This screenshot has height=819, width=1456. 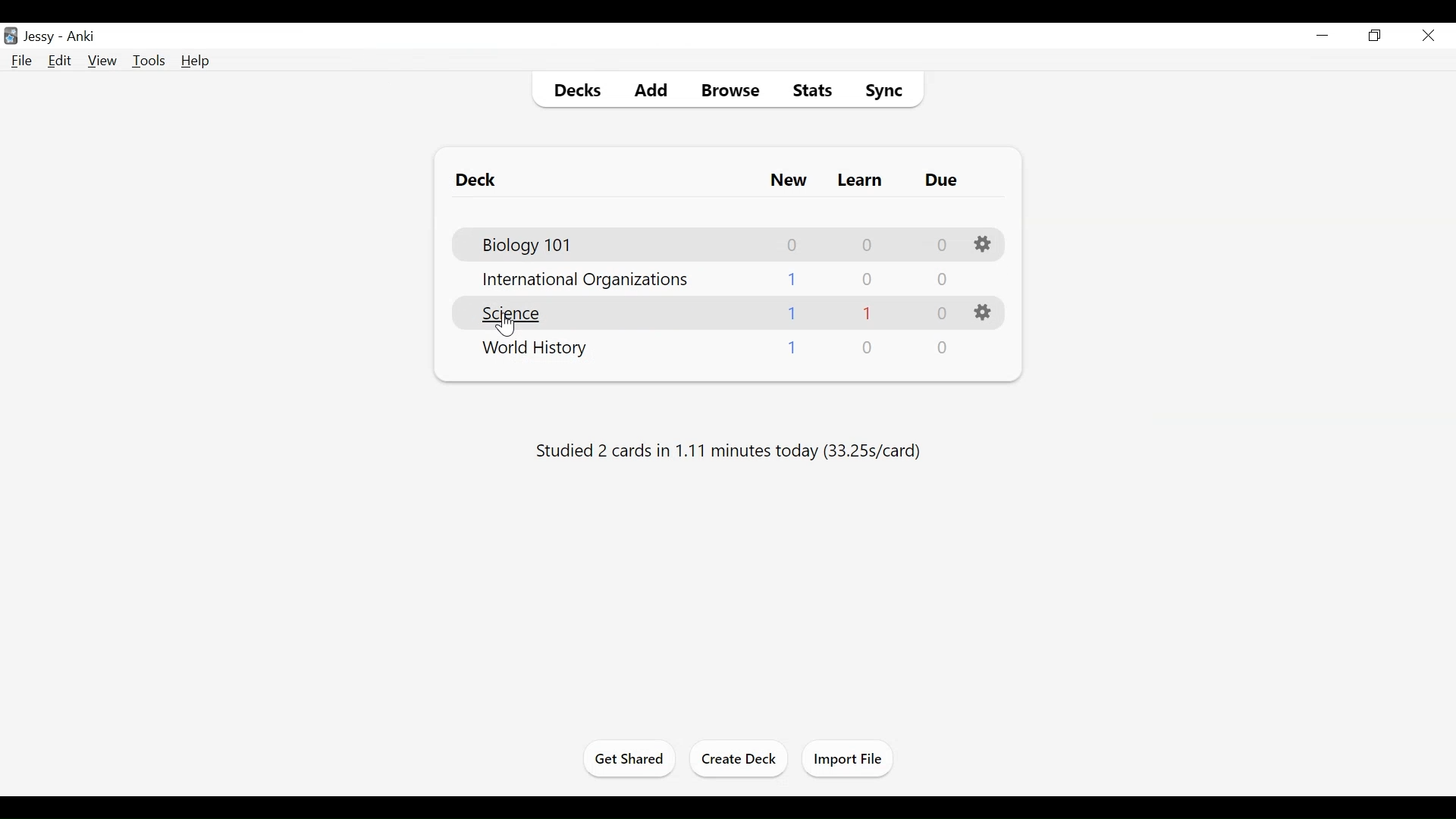 I want to click on Due Cards Count, so click(x=943, y=349).